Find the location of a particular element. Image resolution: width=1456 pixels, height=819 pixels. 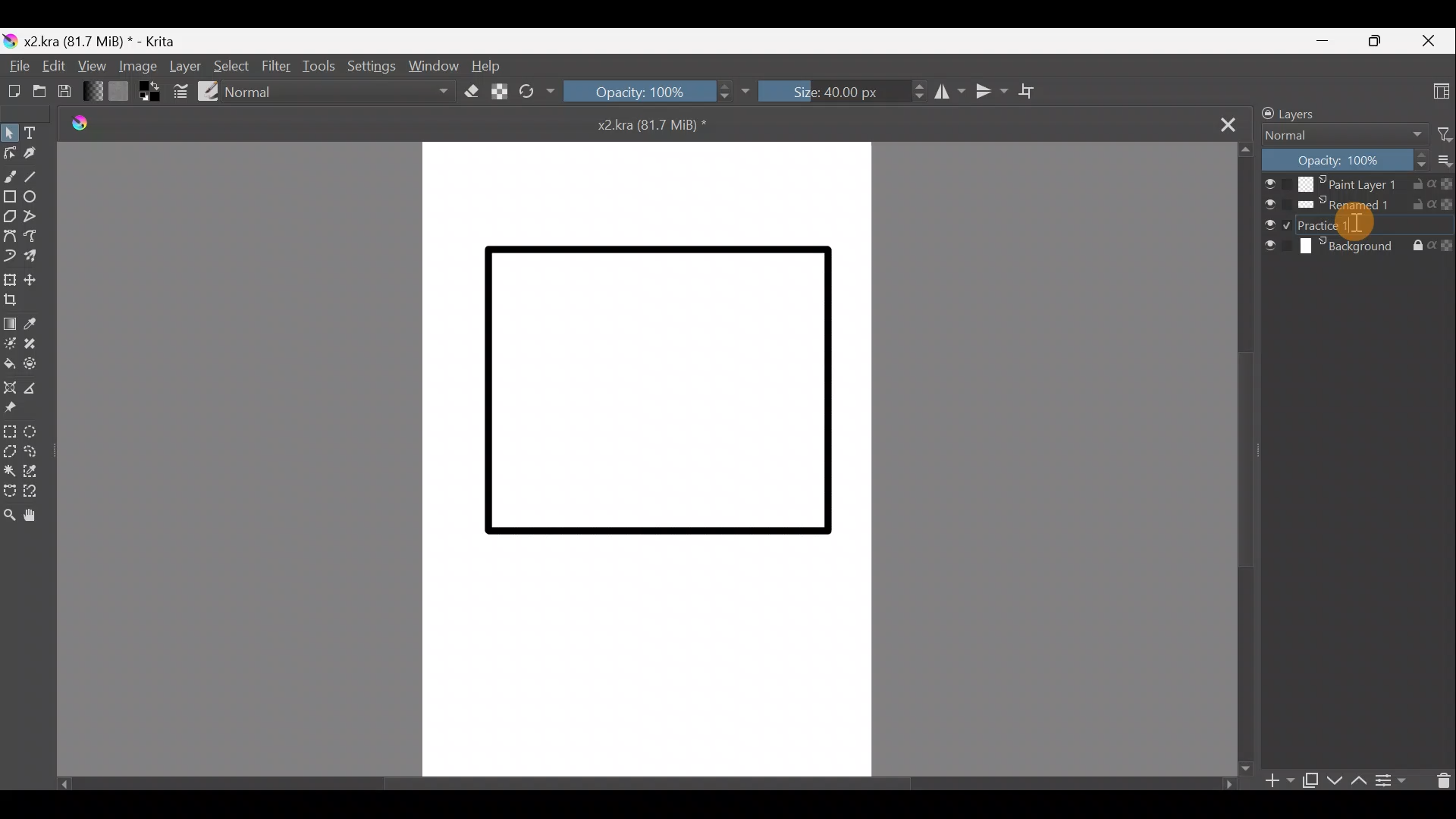

Polygon tool is located at coordinates (11, 216).